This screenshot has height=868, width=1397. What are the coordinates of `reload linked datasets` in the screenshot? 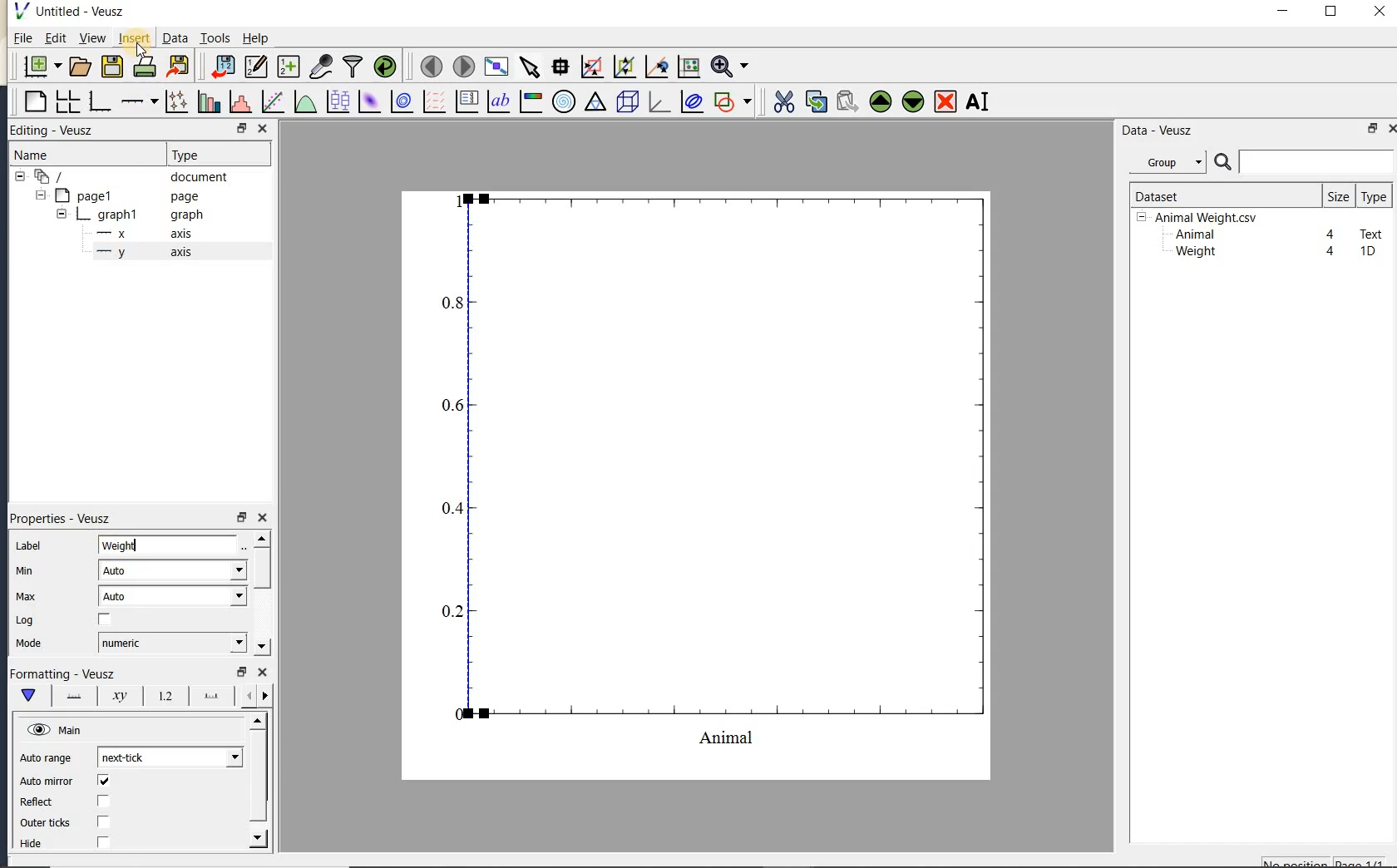 It's located at (385, 65).